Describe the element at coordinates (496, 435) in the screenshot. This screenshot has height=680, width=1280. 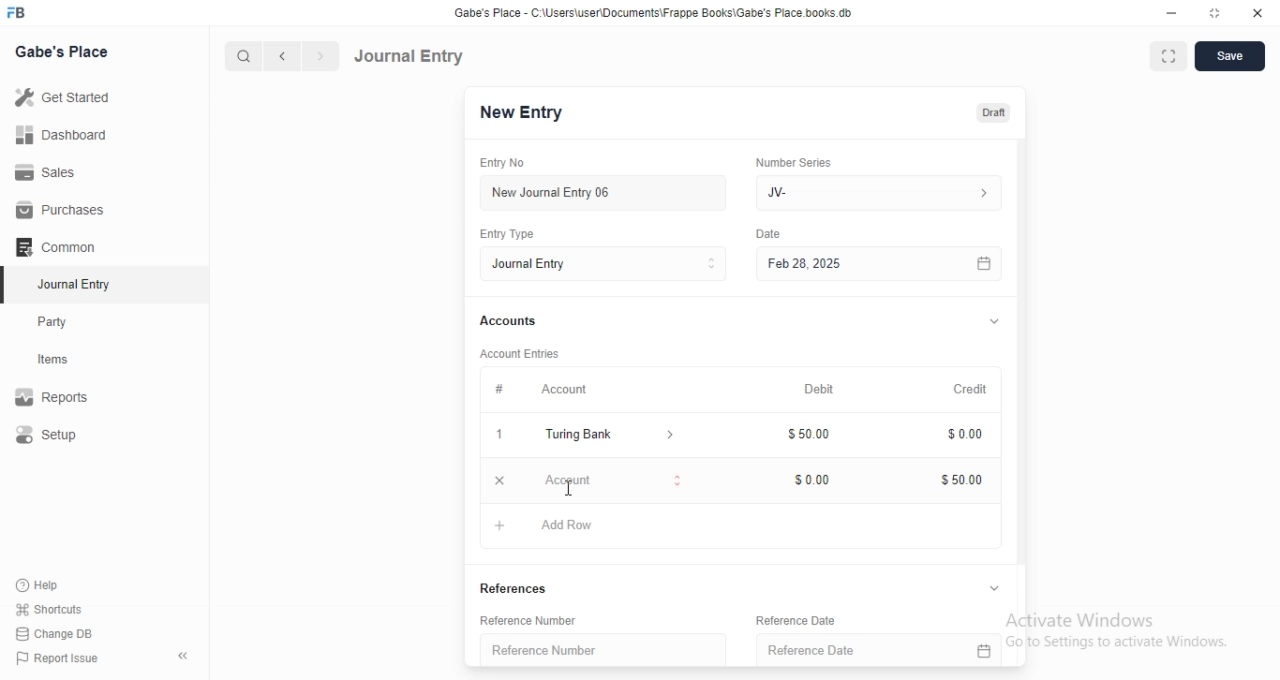
I see `1` at that location.